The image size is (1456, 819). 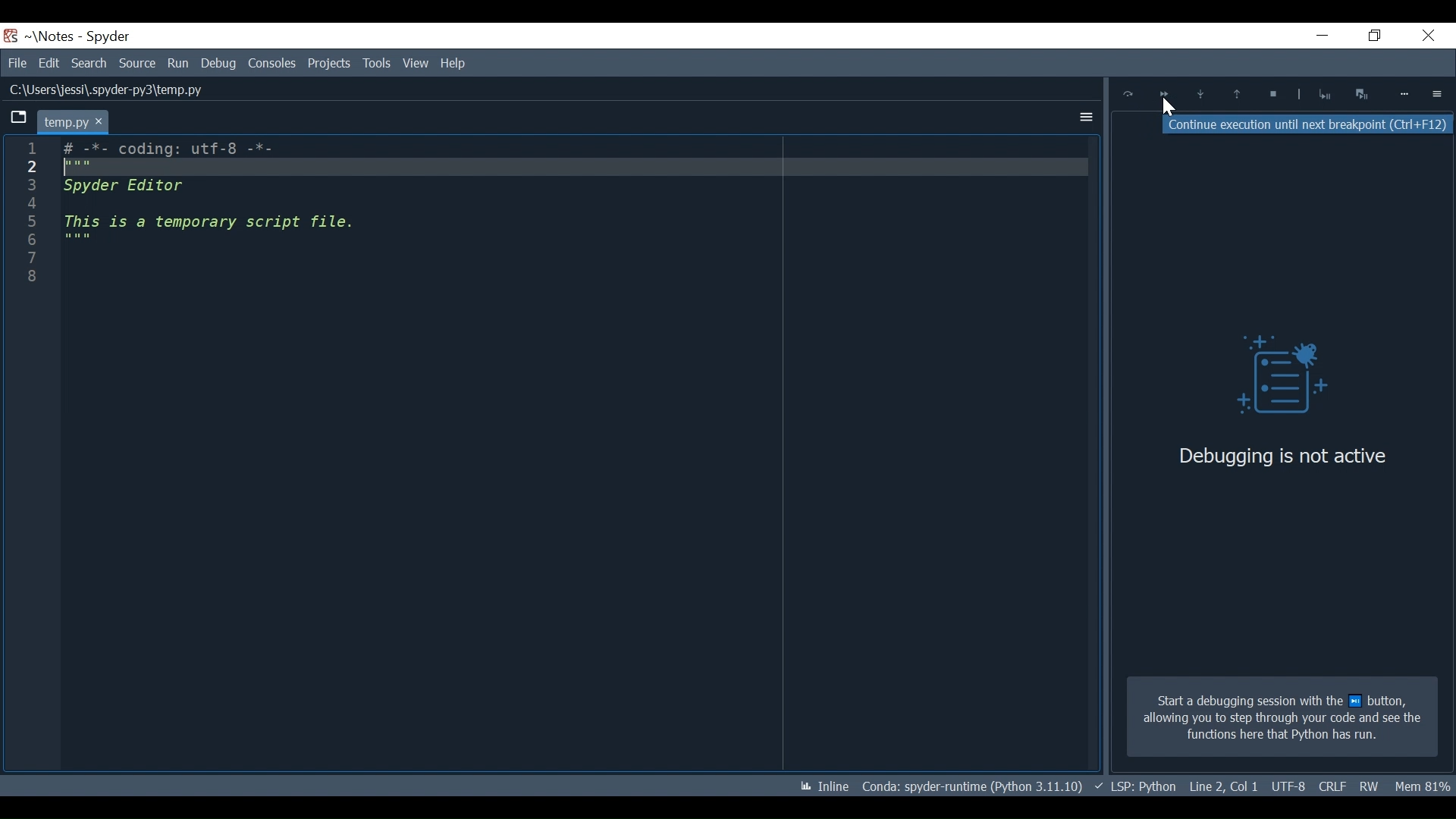 What do you see at coordinates (1332, 787) in the screenshot?
I see `File Encoding` at bounding box center [1332, 787].